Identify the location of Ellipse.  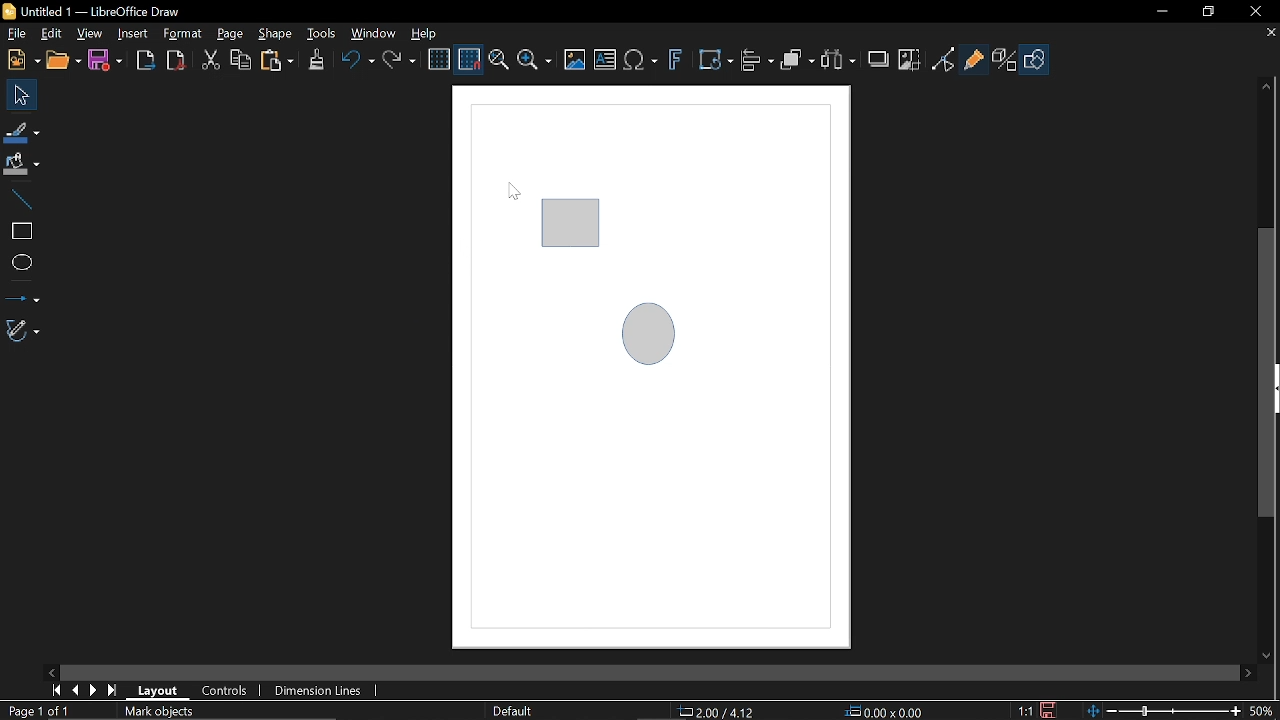
(19, 262).